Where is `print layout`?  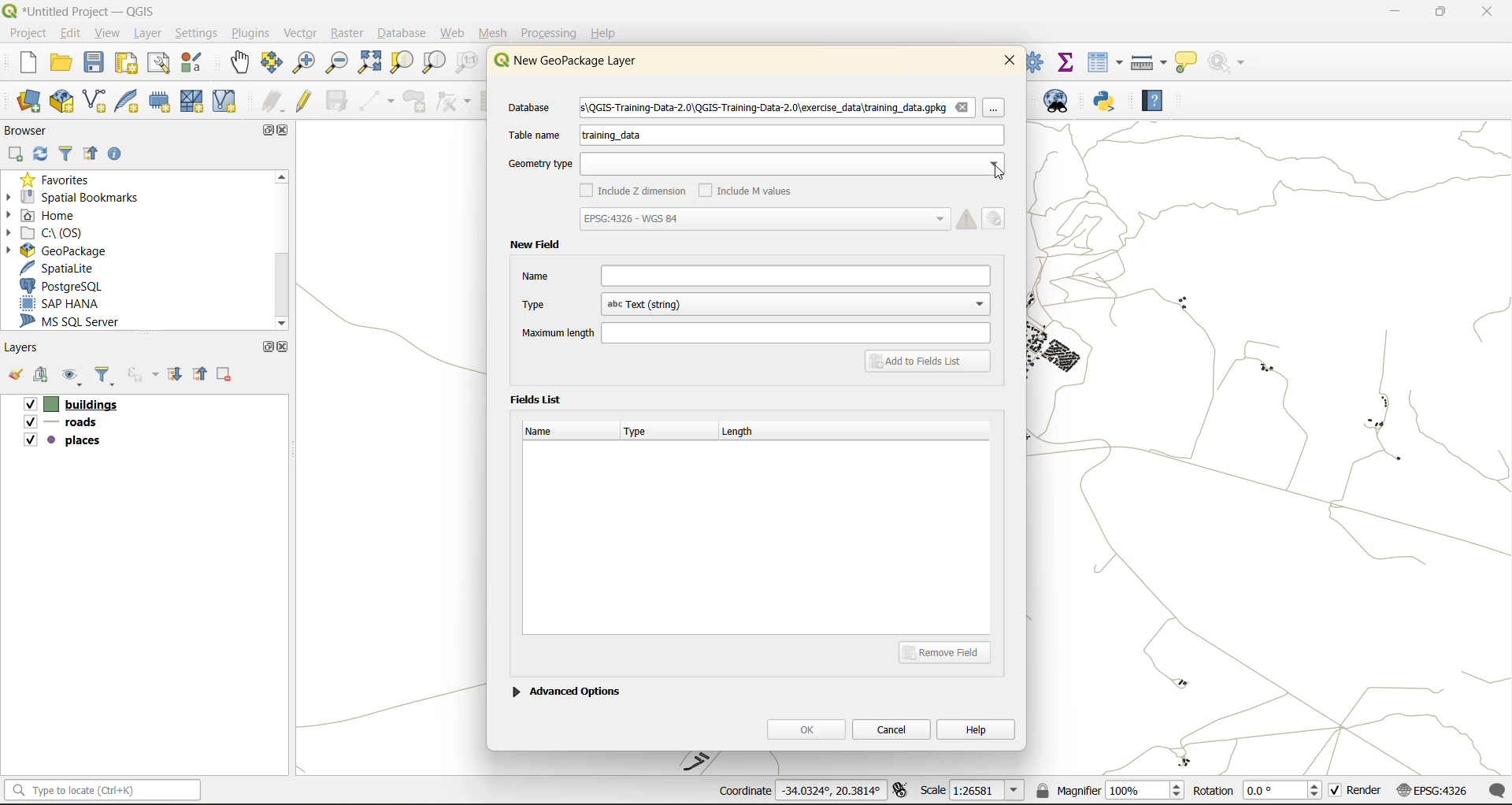
print layout is located at coordinates (128, 65).